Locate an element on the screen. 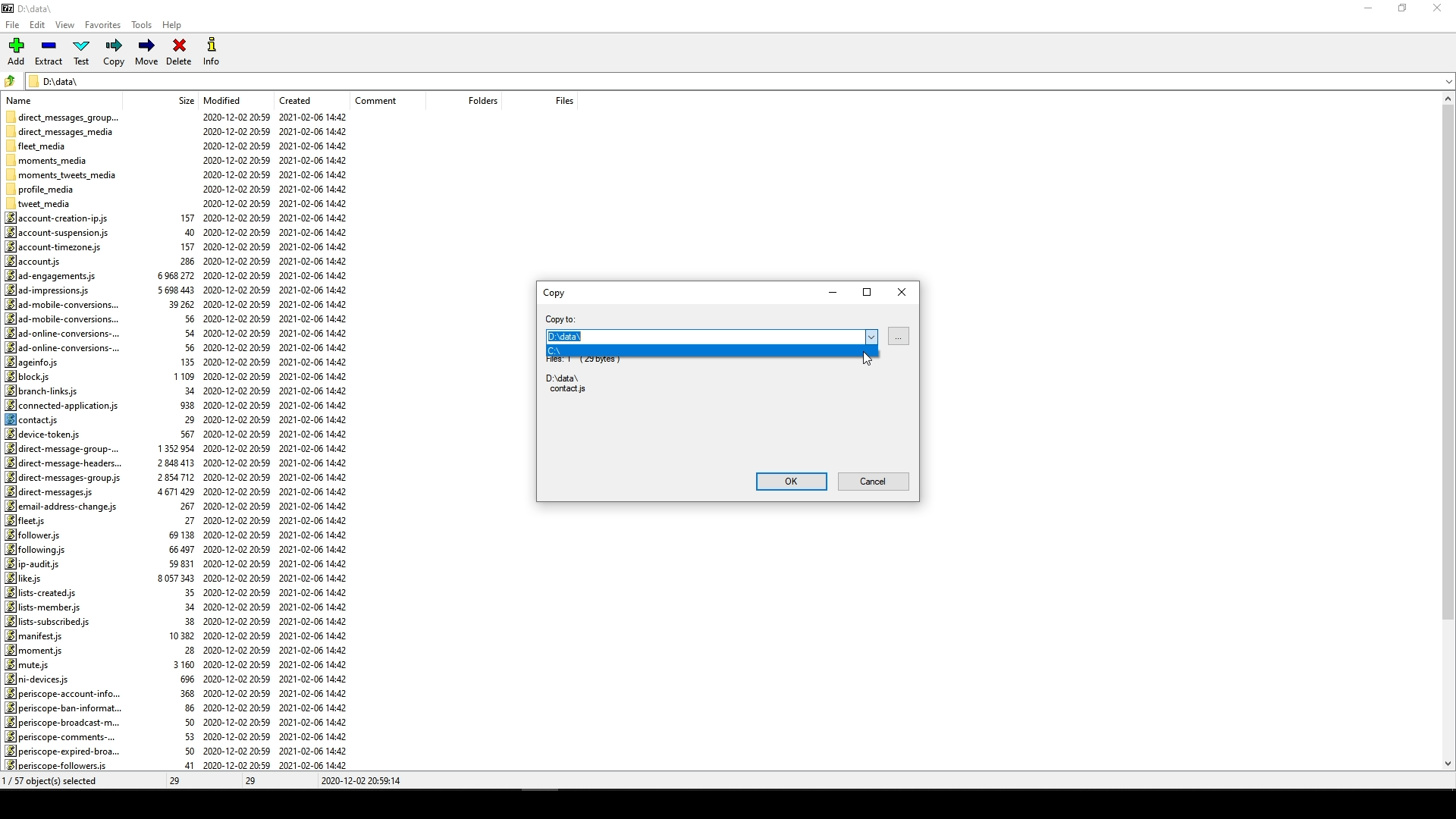 The height and width of the screenshot is (819, 1456). size is located at coordinates (181, 101).